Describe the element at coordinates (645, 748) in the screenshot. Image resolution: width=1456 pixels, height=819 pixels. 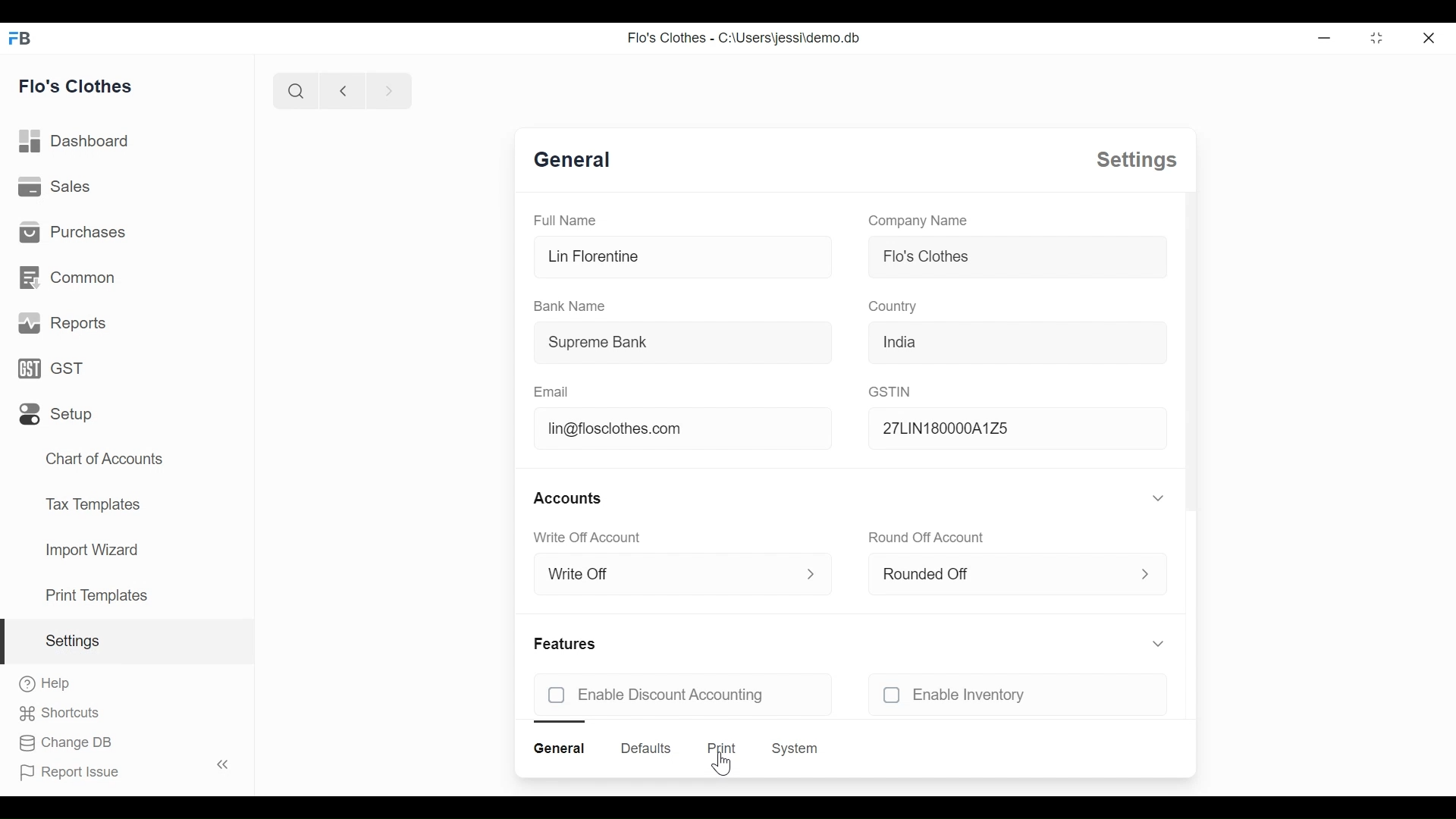
I see `defaults` at that location.